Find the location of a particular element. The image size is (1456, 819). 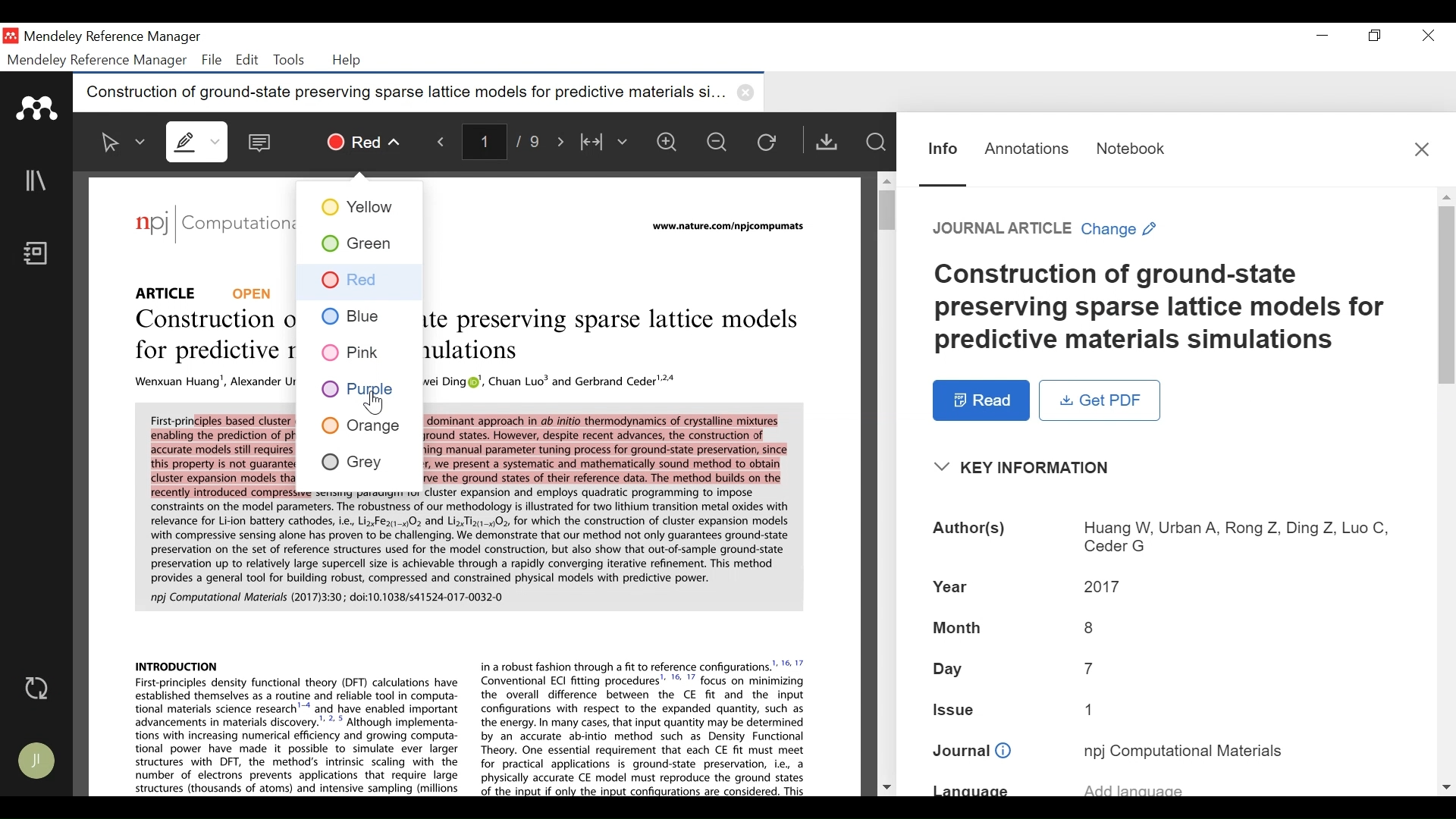

Orange is located at coordinates (357, 426).